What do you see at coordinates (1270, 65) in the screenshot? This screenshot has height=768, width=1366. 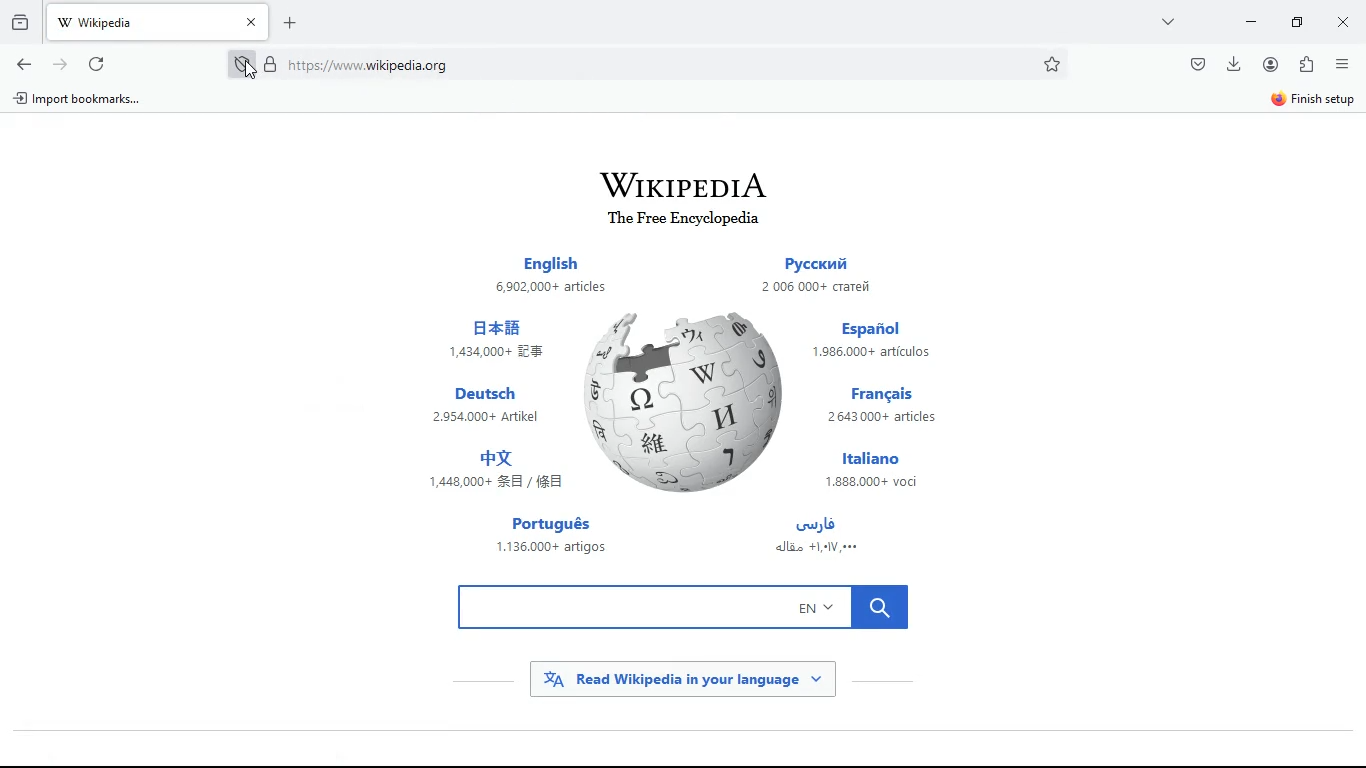 I see `profile` at bounding box center [1270, 65].